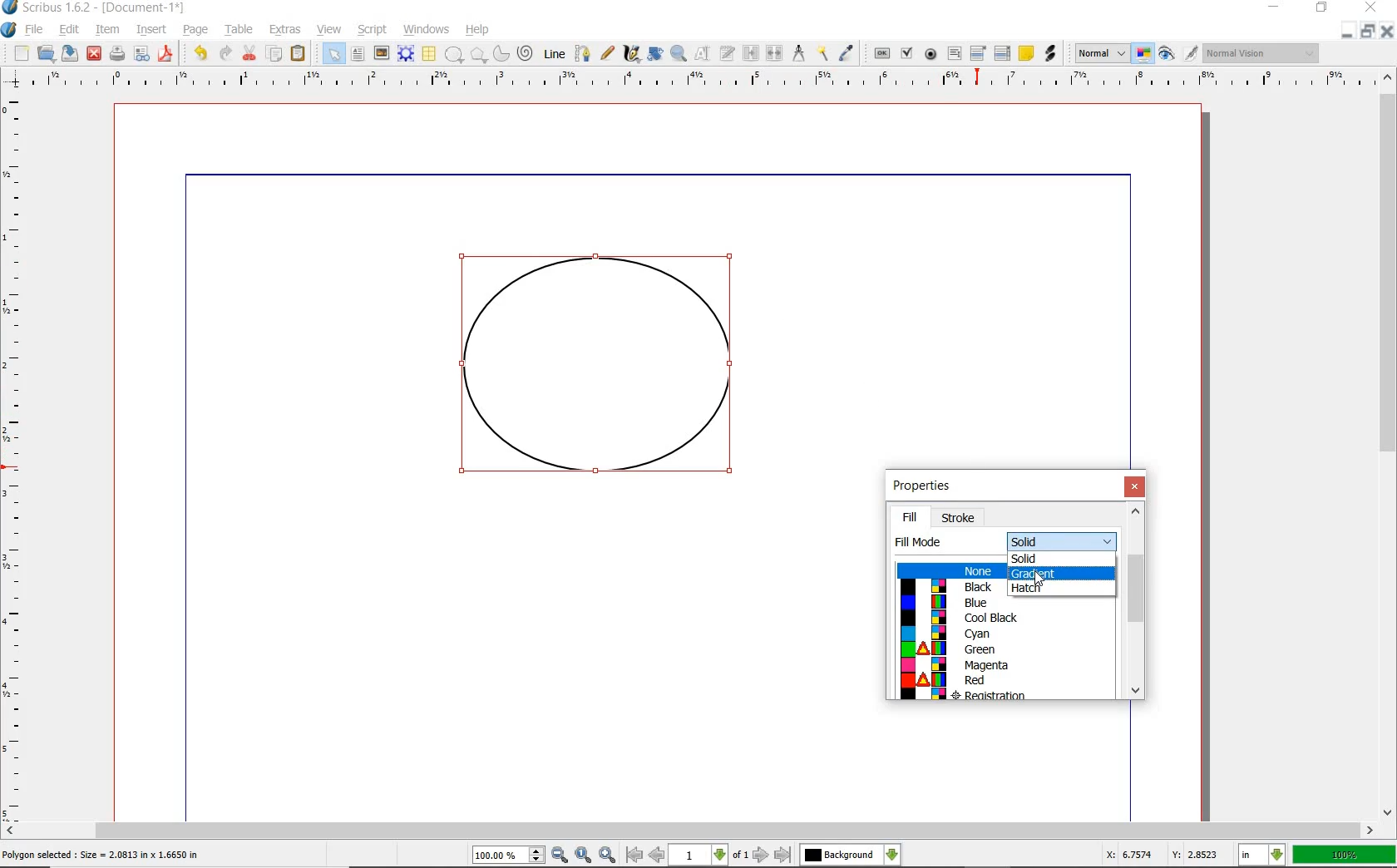 This screenshot has width=1397, height=868. What do you see at coordinates (1261, 54) in the screenshot?
I see `visual appearance of the display` at bounding box center [1261, 54].